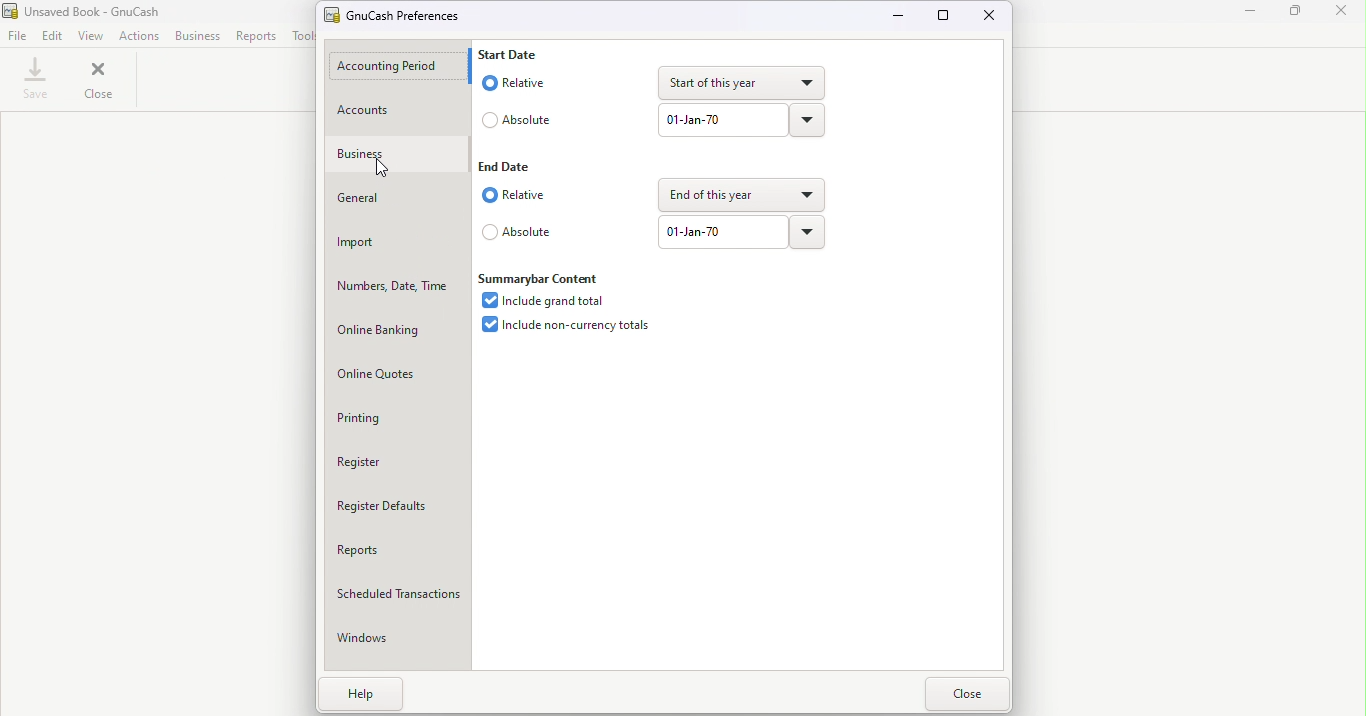  Describe the element at coordinates (991, 17) in the screenshot. I see `Close` at that location.